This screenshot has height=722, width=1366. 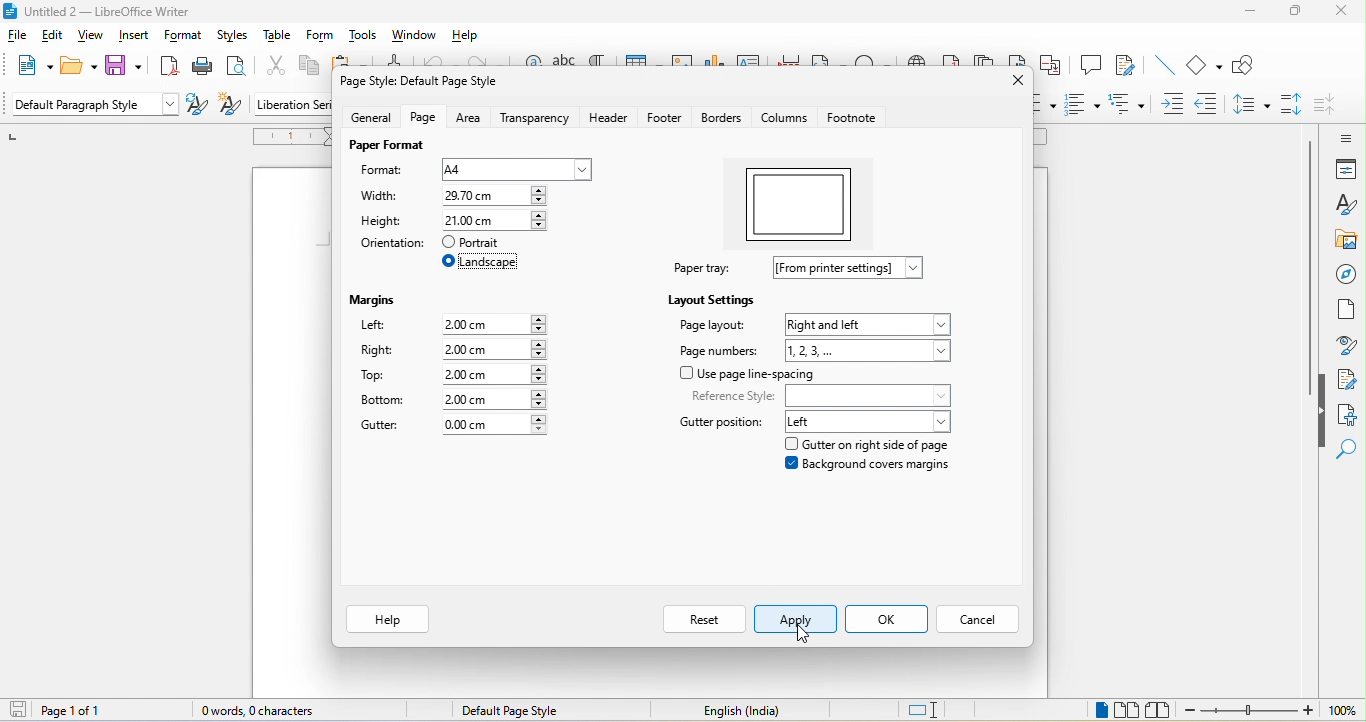 I want to click on style inspecter, so click(x=1346, y=347).